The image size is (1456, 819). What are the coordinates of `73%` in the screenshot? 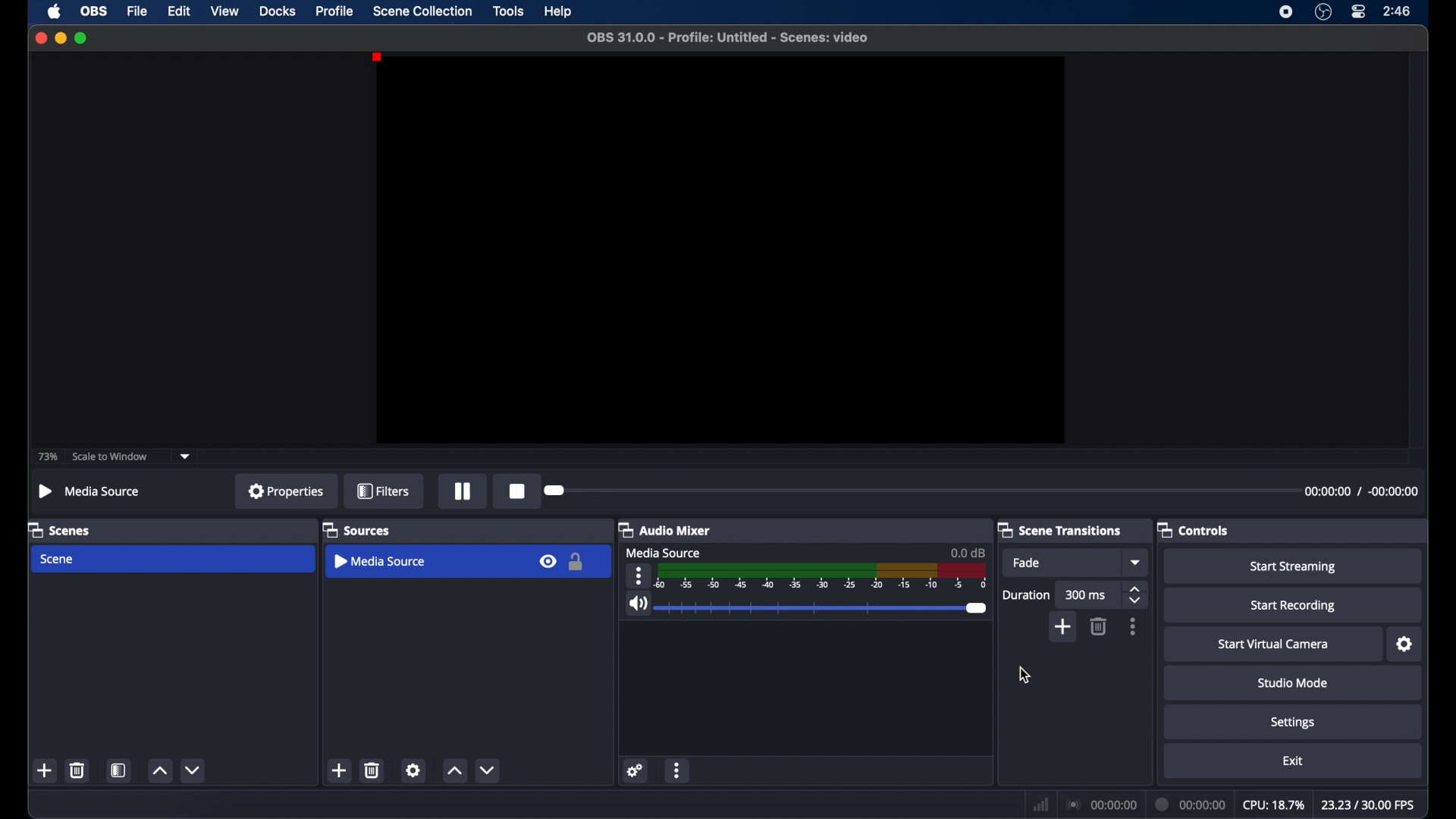 It's located at (46, 457).